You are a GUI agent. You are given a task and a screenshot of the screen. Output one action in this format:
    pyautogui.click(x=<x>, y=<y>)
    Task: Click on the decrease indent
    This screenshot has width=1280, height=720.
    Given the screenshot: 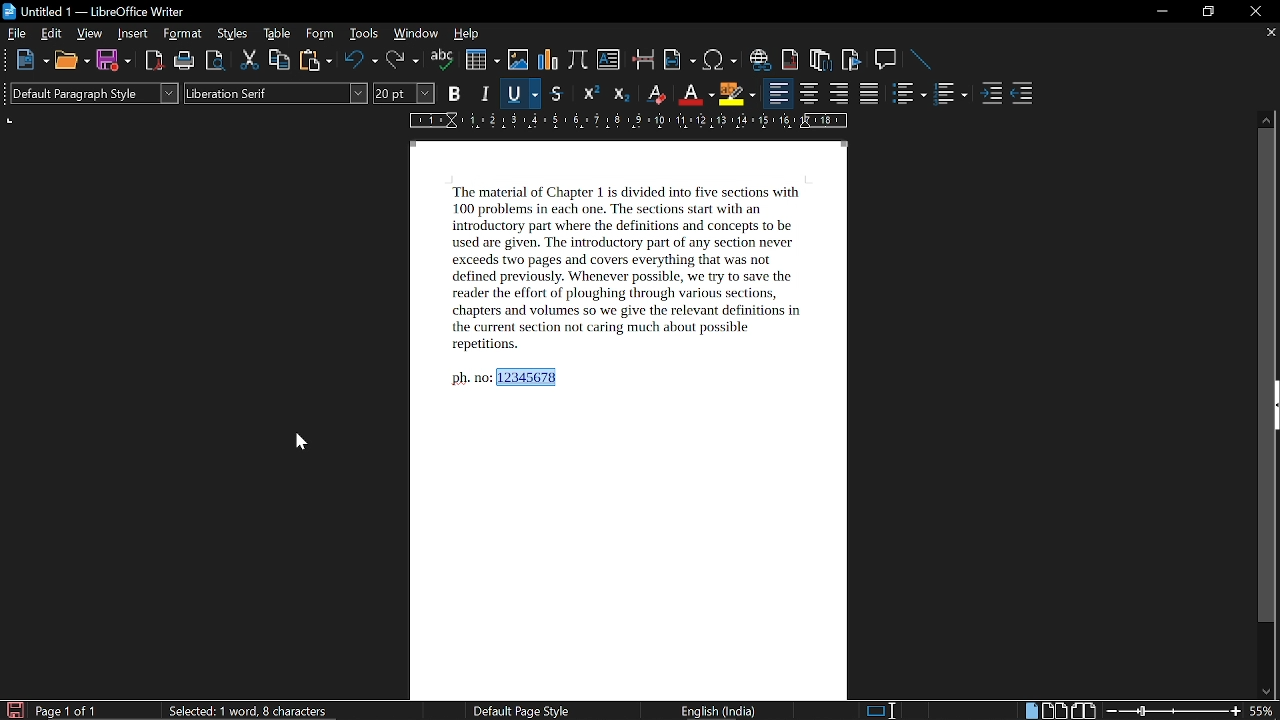 What is the action you would take?
    pyautogui.click(x=1024, y=96)
    